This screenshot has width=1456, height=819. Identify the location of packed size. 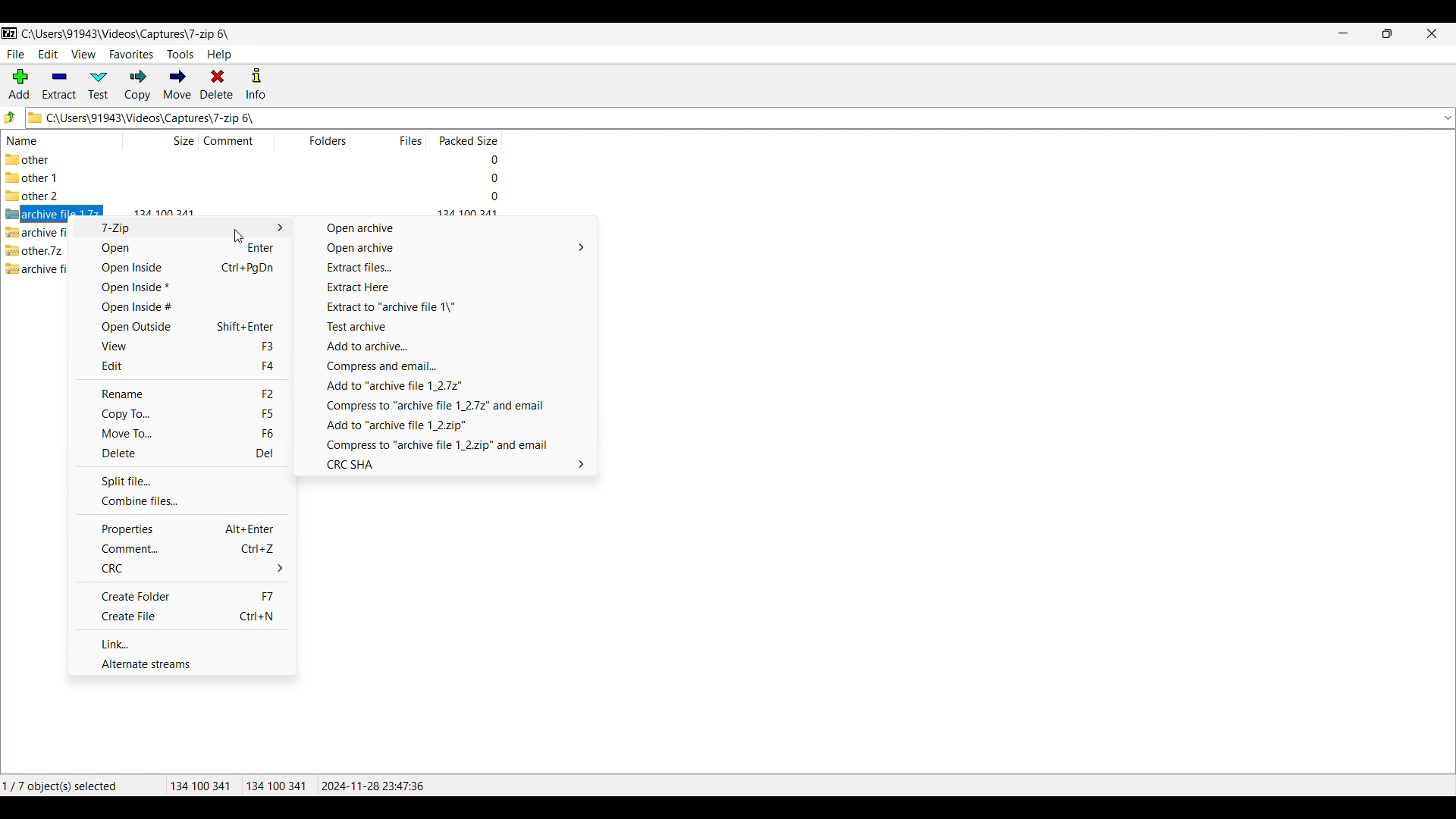
(490, 196).